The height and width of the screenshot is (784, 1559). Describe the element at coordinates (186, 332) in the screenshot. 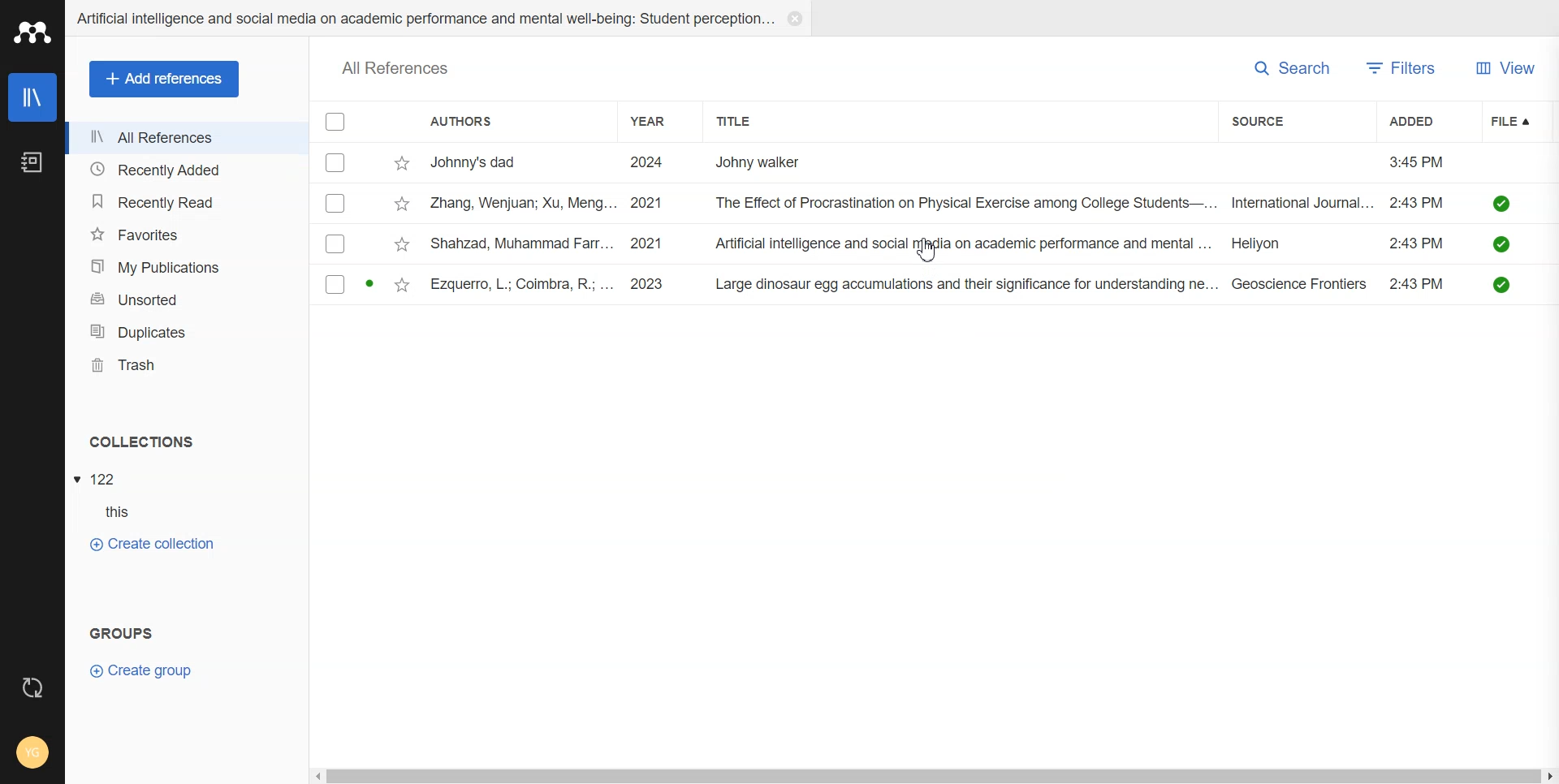

I see `Duplicates` at that location.